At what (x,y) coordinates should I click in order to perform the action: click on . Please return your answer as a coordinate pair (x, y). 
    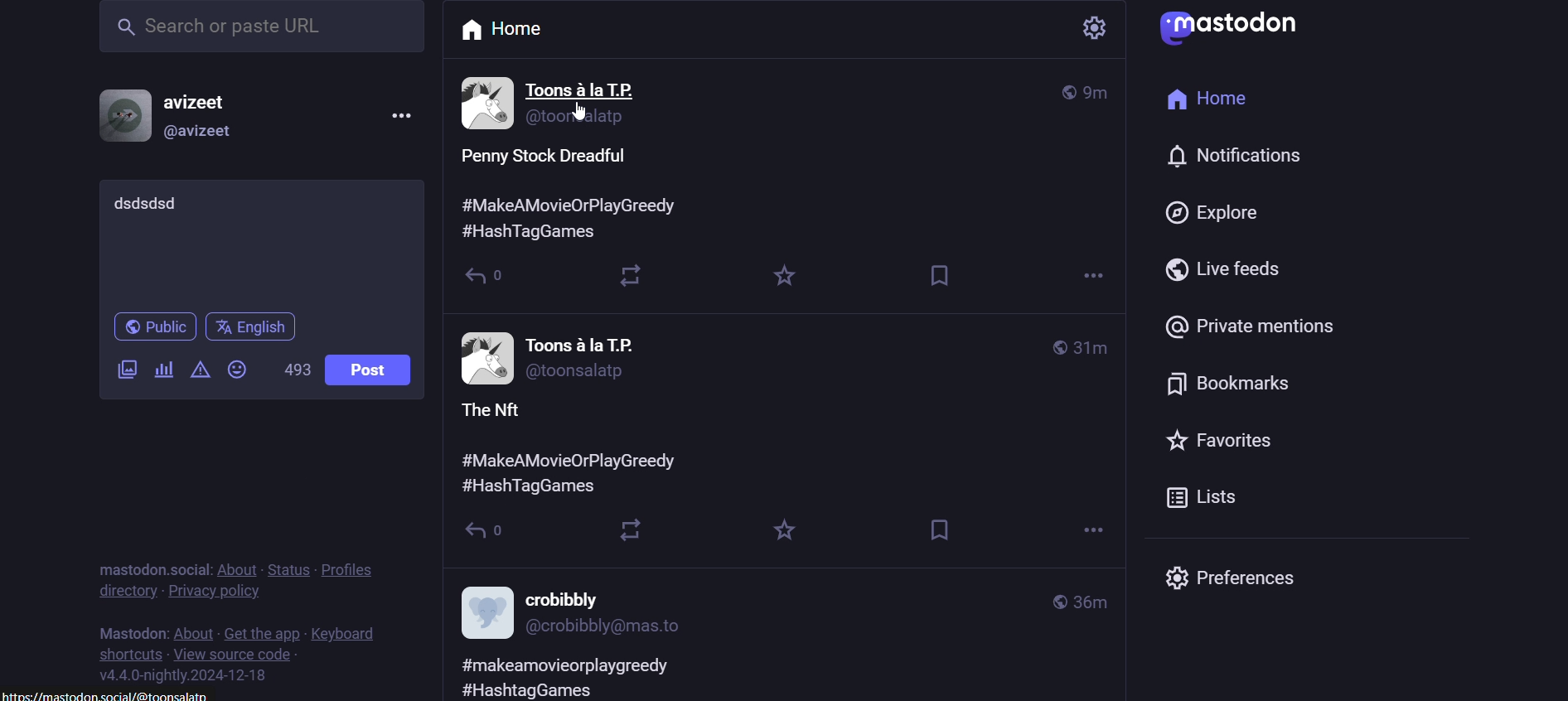
    Looking at the image, I should click on (486, 531).